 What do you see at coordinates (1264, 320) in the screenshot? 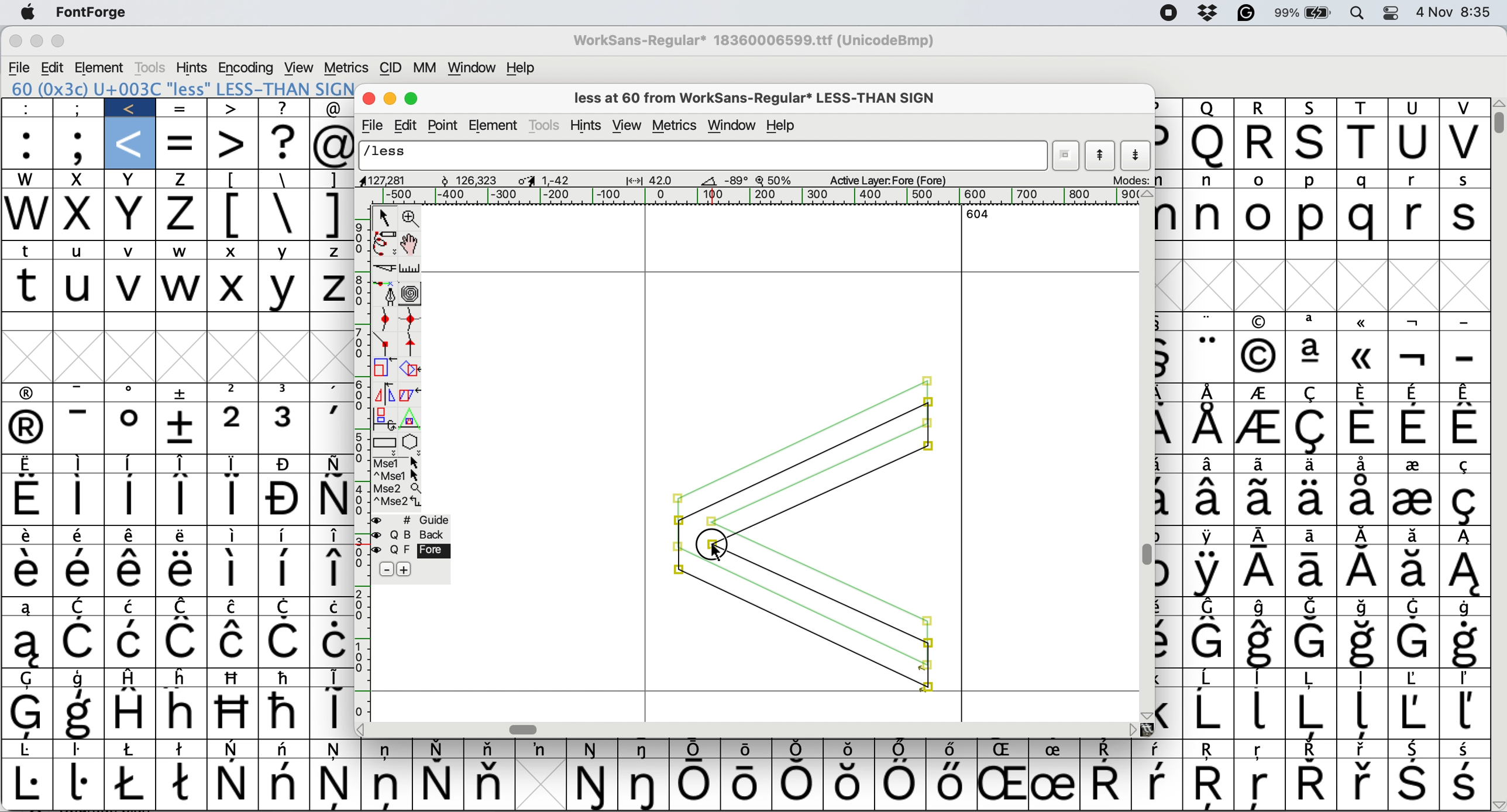
I see `Symbol` at bounding box center [1264, 320].